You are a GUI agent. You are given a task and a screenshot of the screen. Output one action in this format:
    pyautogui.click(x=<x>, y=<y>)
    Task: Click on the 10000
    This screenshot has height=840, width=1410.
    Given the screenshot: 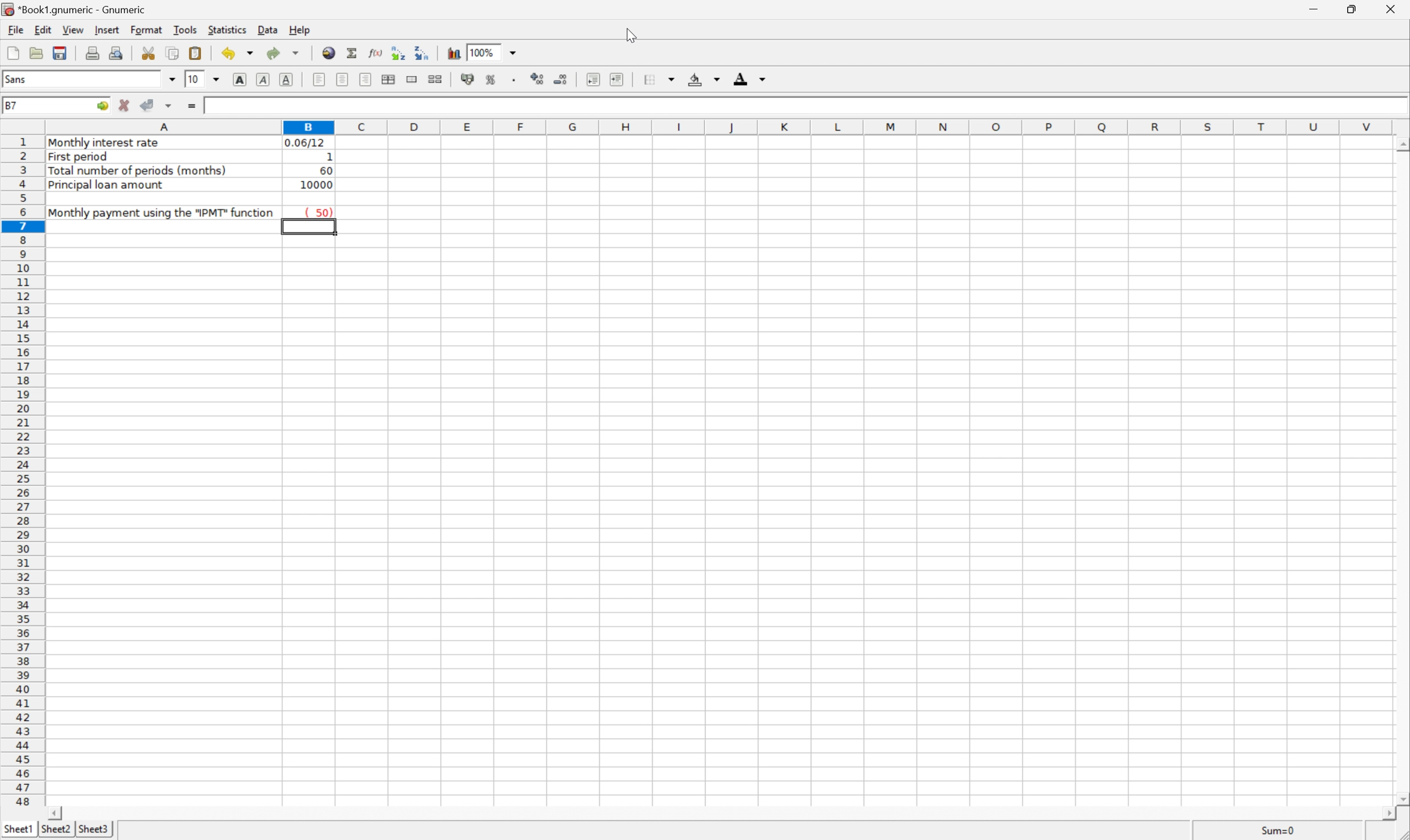 What is the action you would take?
    pyautogui.click(x=313, y=186)
    